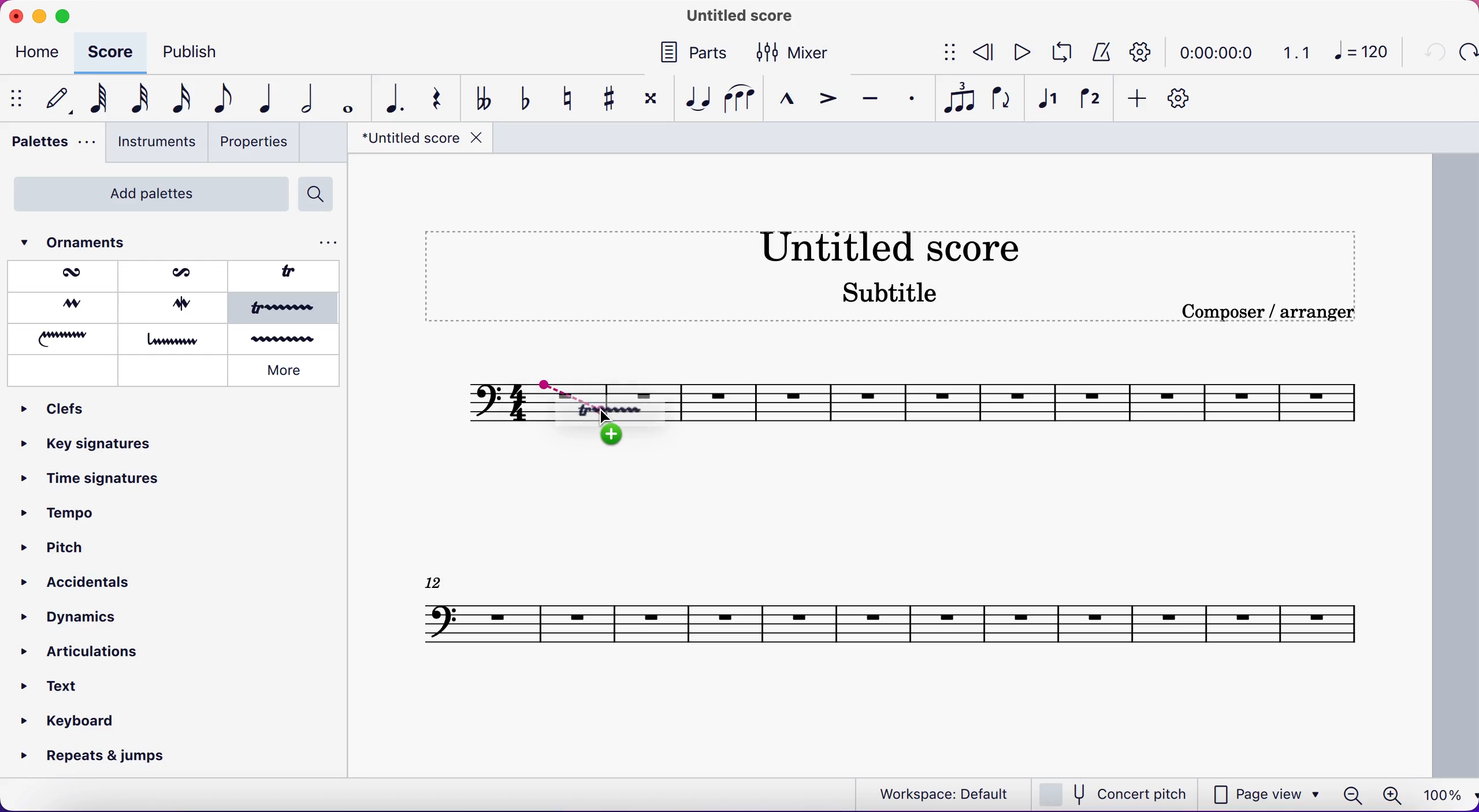  Describe the element at coordinates (789, 99) in the screenshot. I see `marcato` at that location.